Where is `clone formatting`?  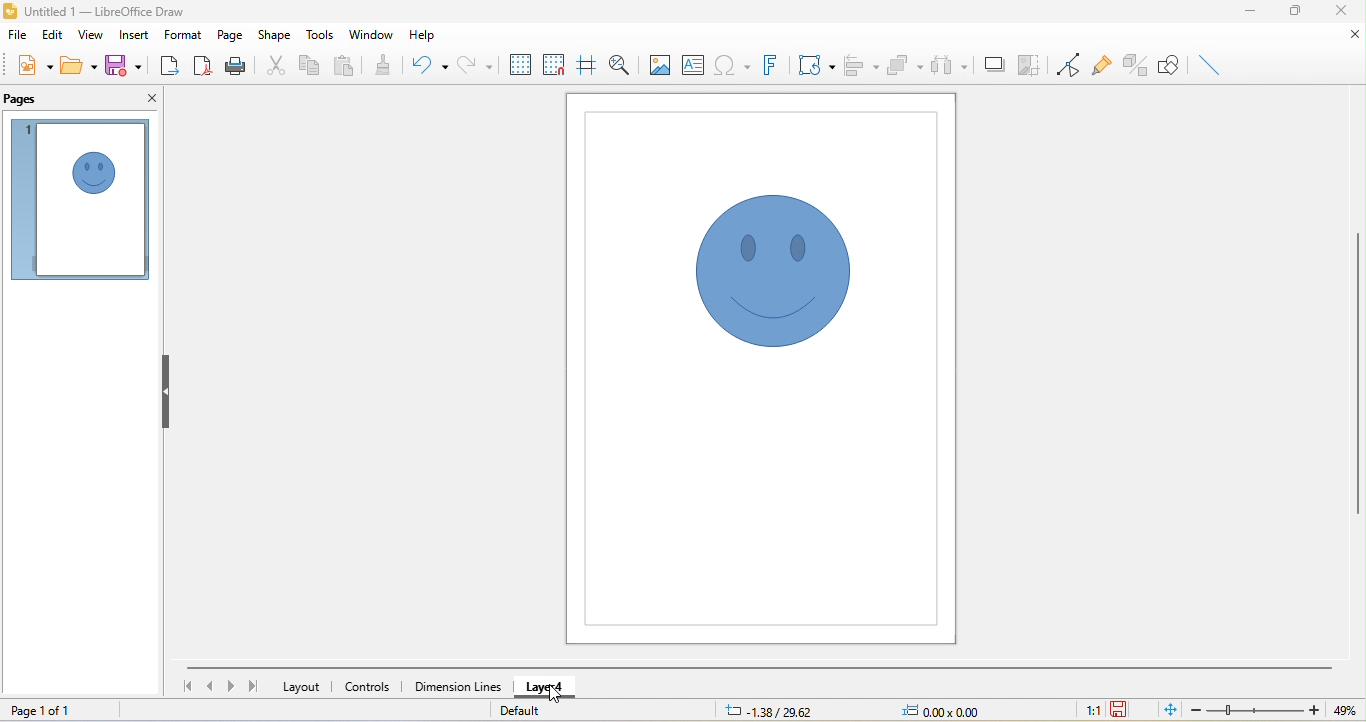
clone formatting is located at coordinates (389, 64).